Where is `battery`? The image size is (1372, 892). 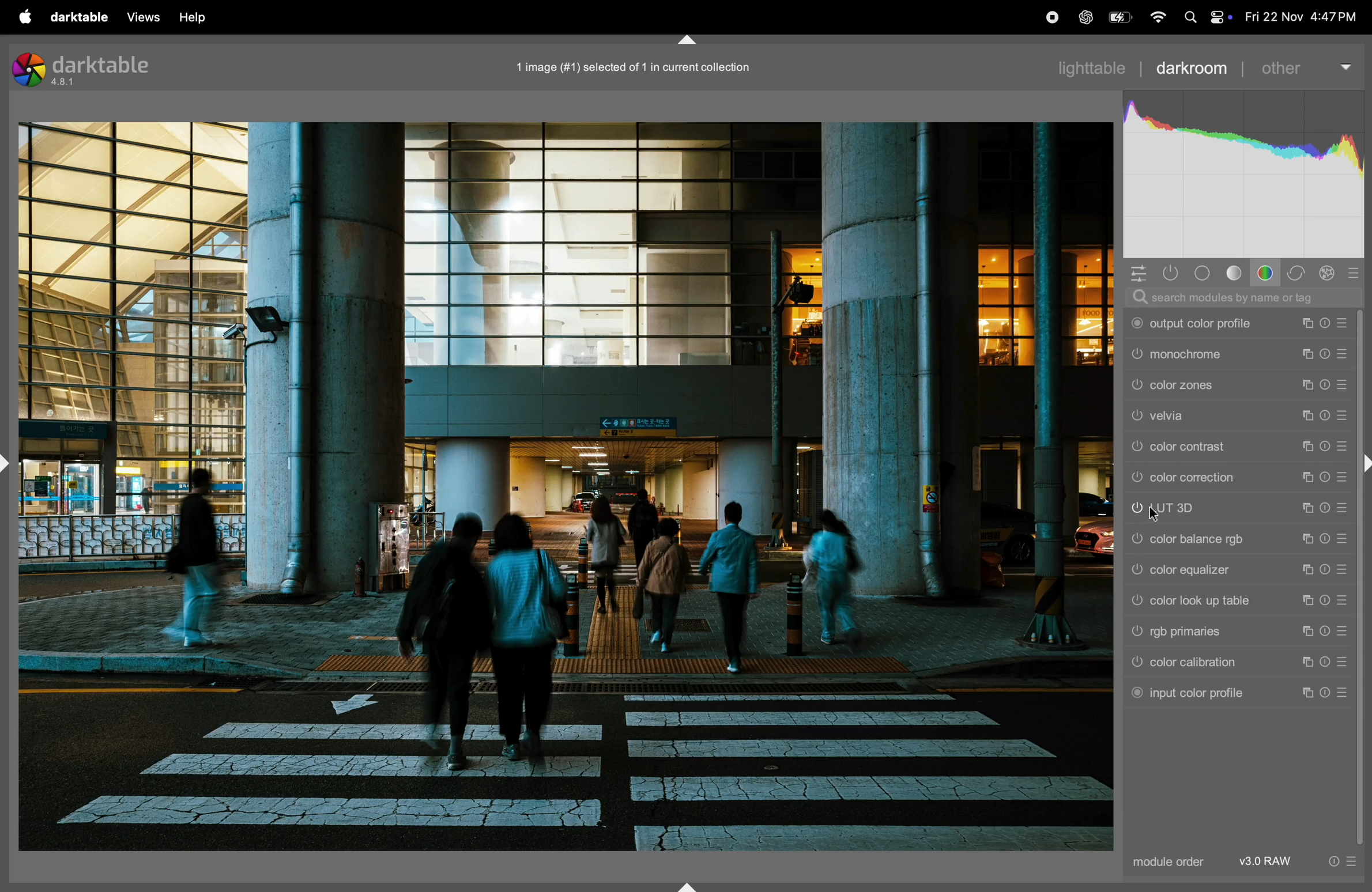 battery is located at coordinates (1117, 19).